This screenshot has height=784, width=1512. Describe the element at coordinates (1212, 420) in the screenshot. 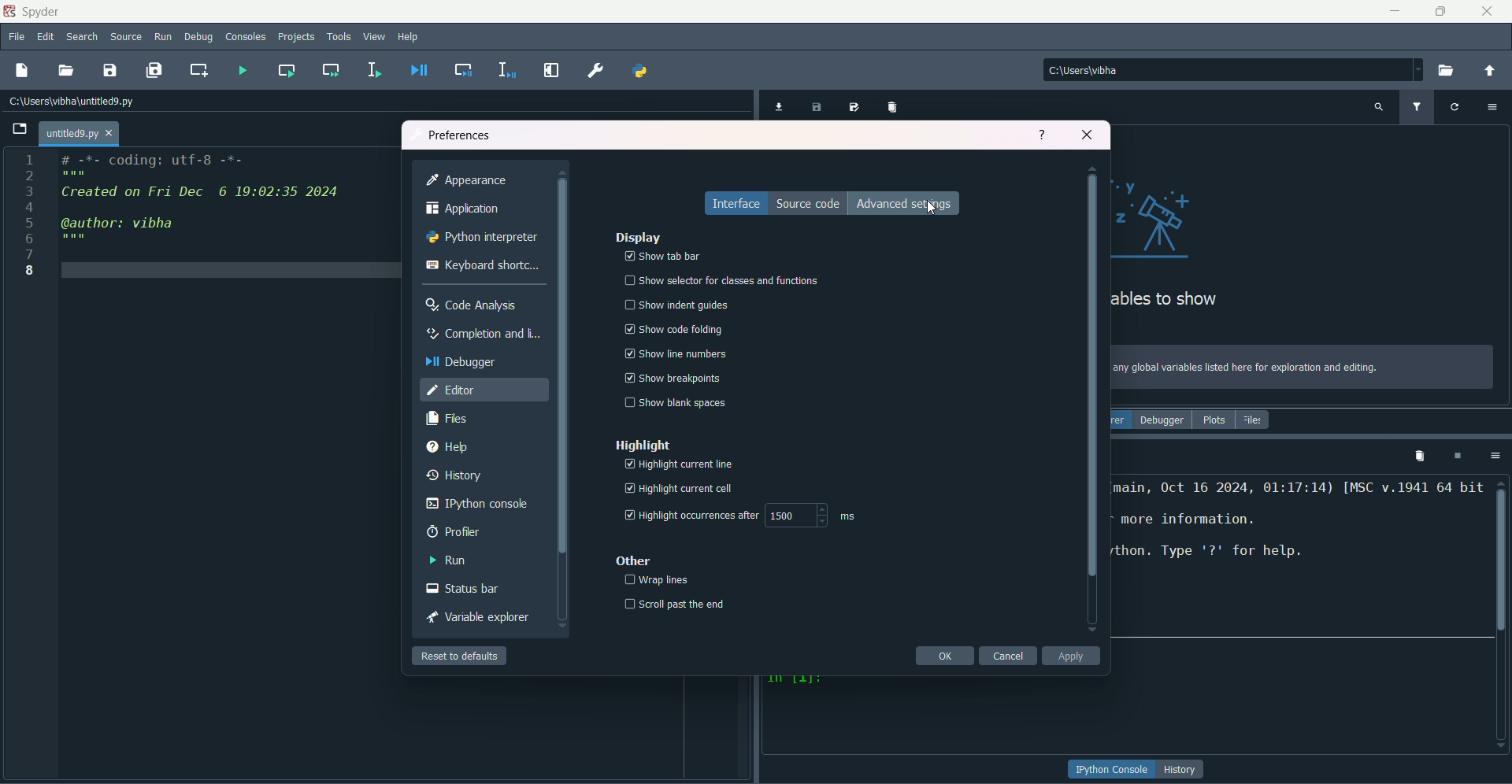

I see `plots` at that location.